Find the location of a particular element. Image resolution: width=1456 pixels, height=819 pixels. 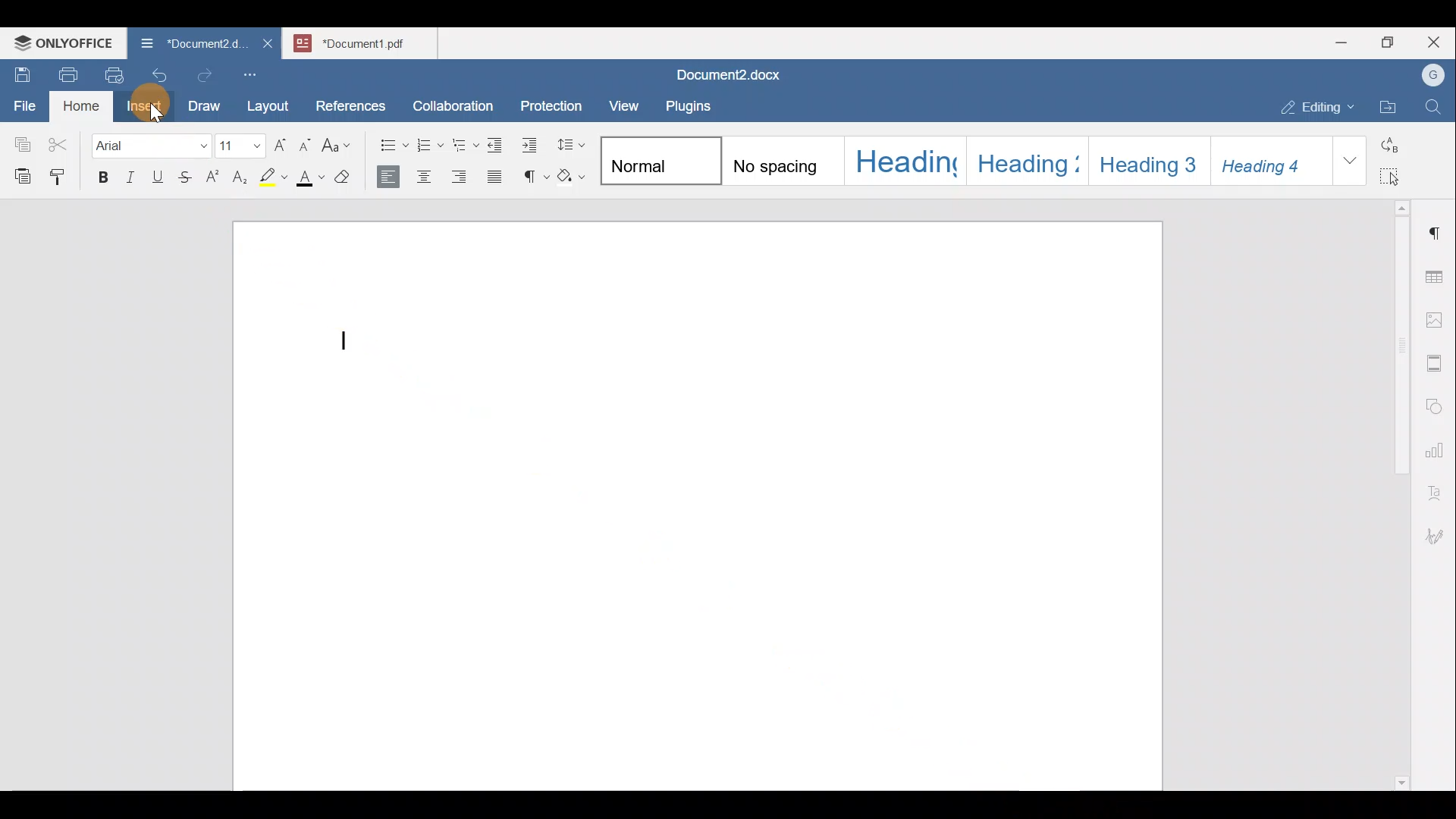

Document2.docx is located at coordinates (729, 72).